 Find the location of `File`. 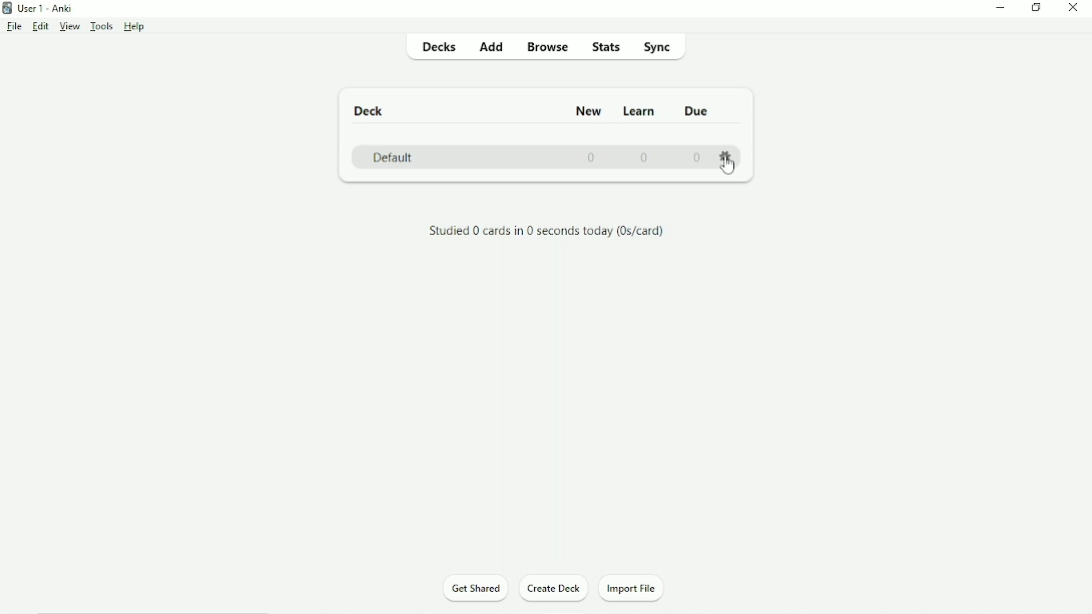

File is located at coordinates (16, 27).